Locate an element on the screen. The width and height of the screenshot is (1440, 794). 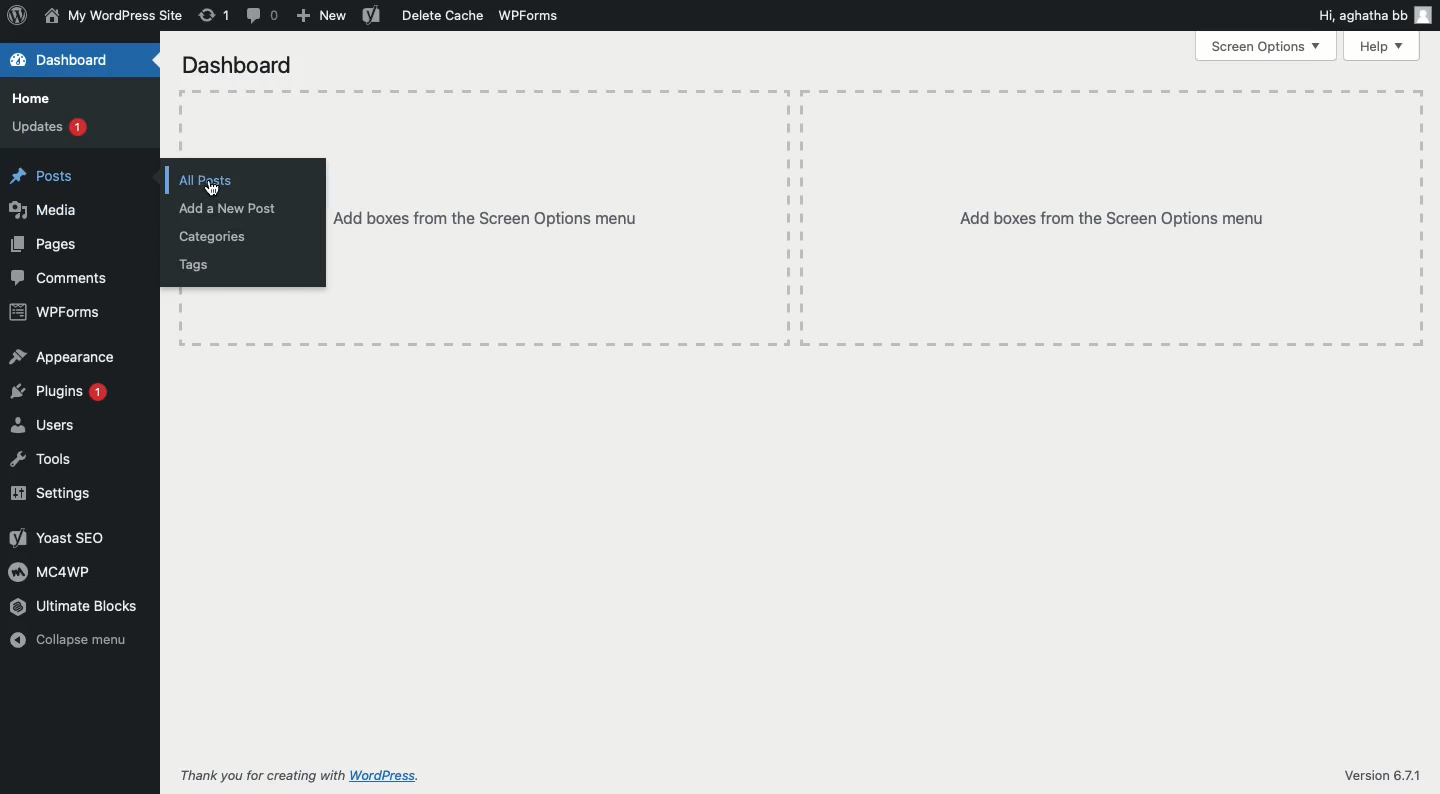
All posts is located at coordinates (209, 173).